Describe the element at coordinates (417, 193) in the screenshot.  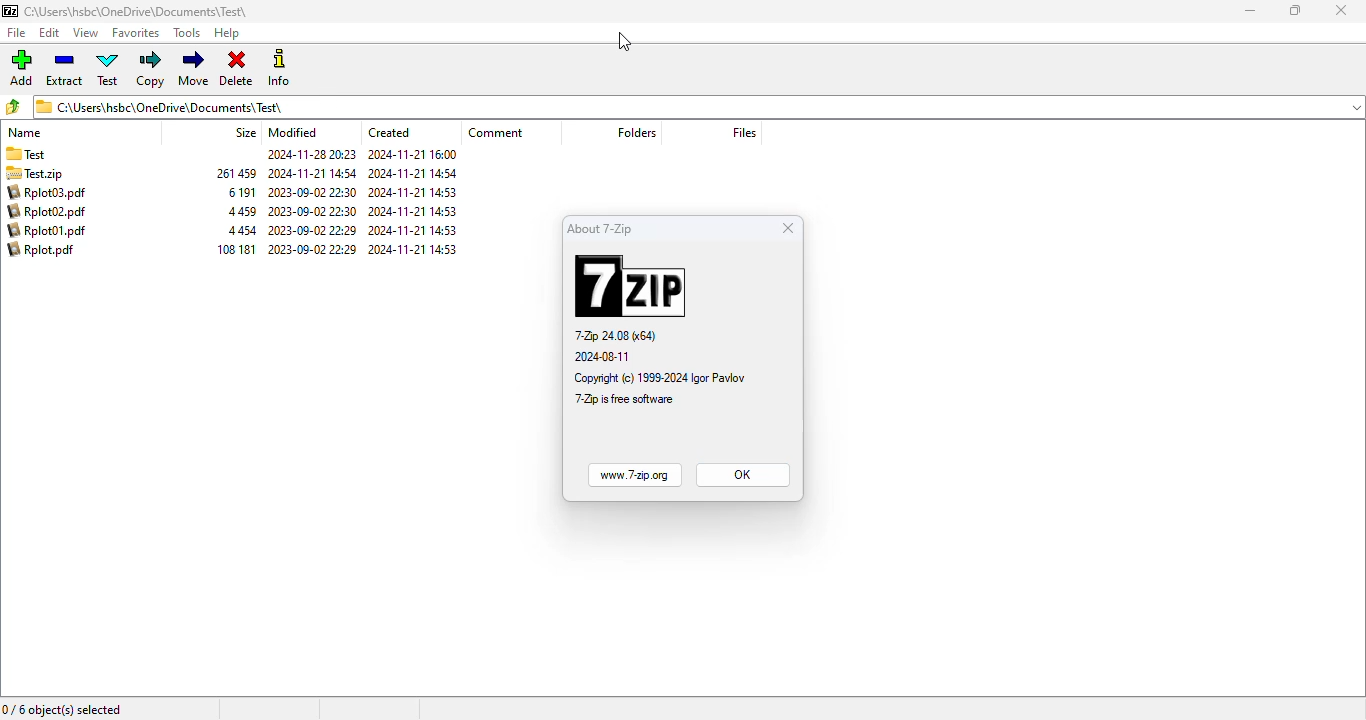
I see `2024-11-21 14:53` at that location.